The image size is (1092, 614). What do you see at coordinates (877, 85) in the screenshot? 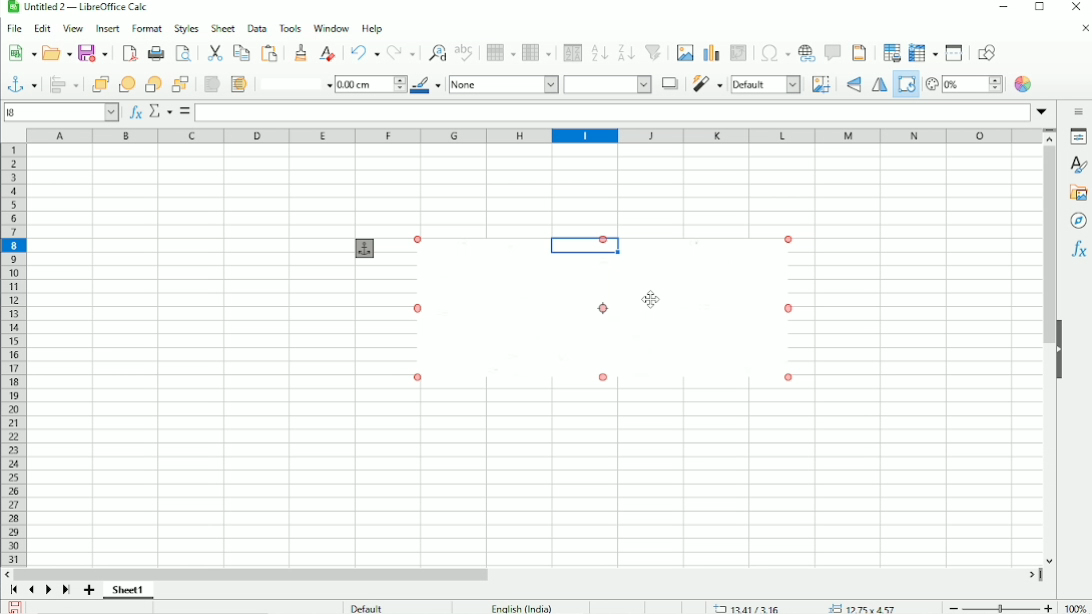
I see `Flip horizontally` at bounding box center [877, 85].